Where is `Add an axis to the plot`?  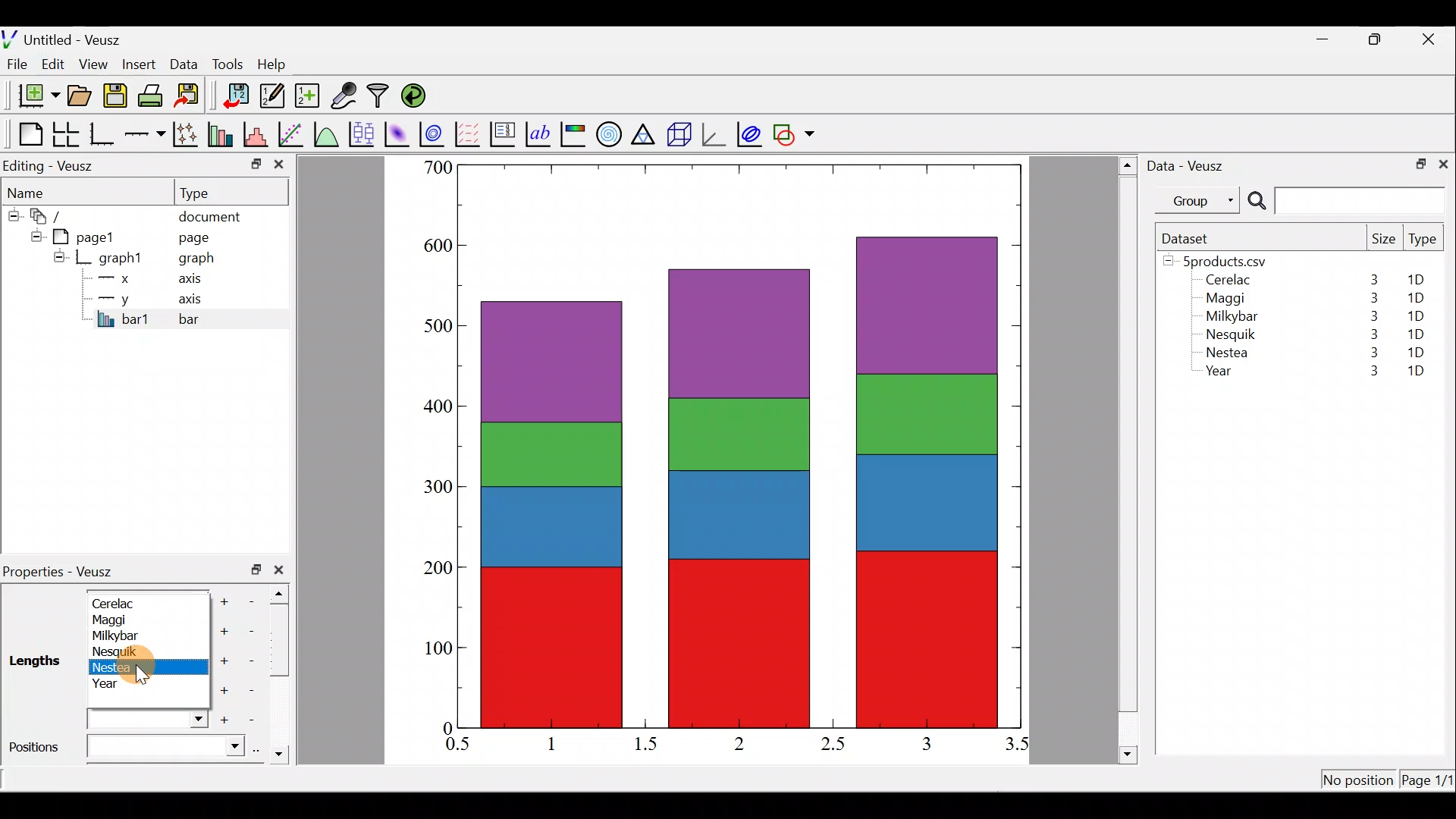 Add an axis to the plot is located at coordinates (148, 134).